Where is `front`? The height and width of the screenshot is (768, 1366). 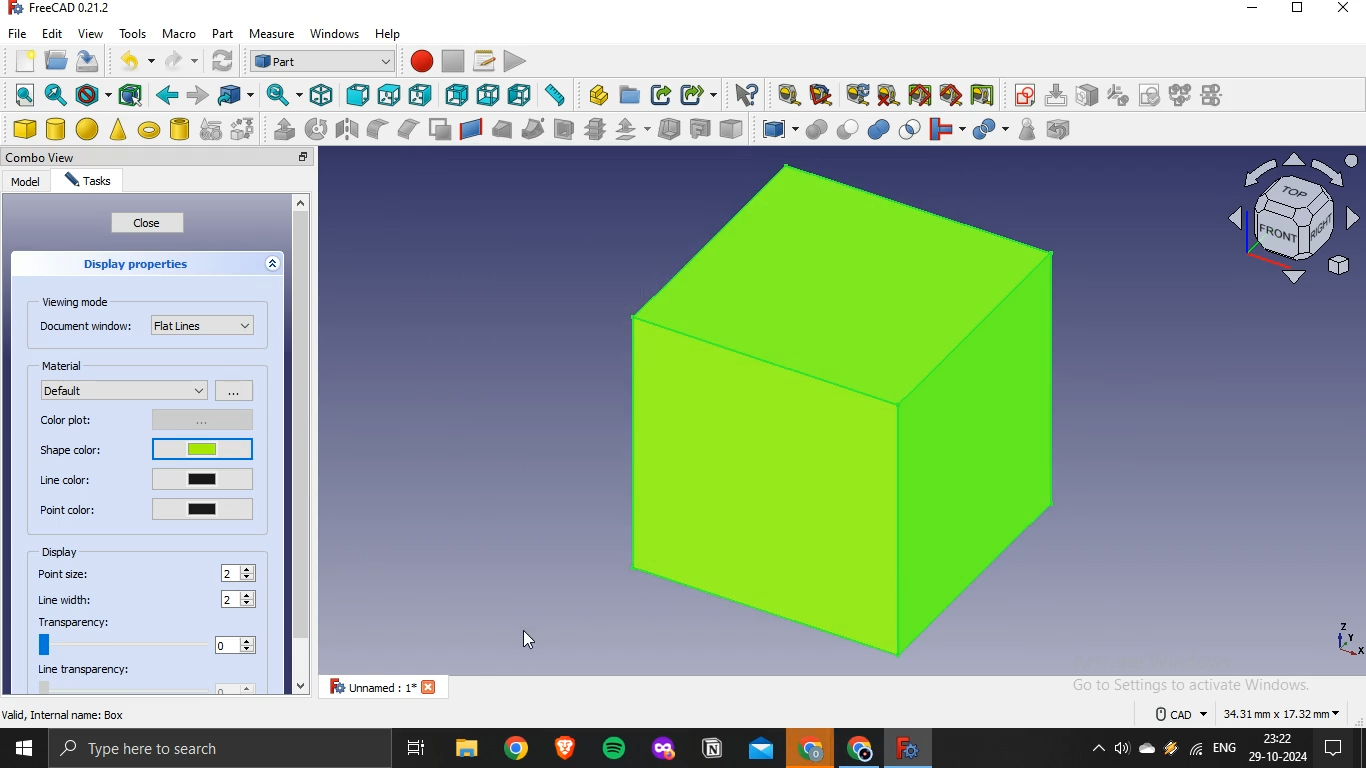
front is located at coordinates (357, 95).